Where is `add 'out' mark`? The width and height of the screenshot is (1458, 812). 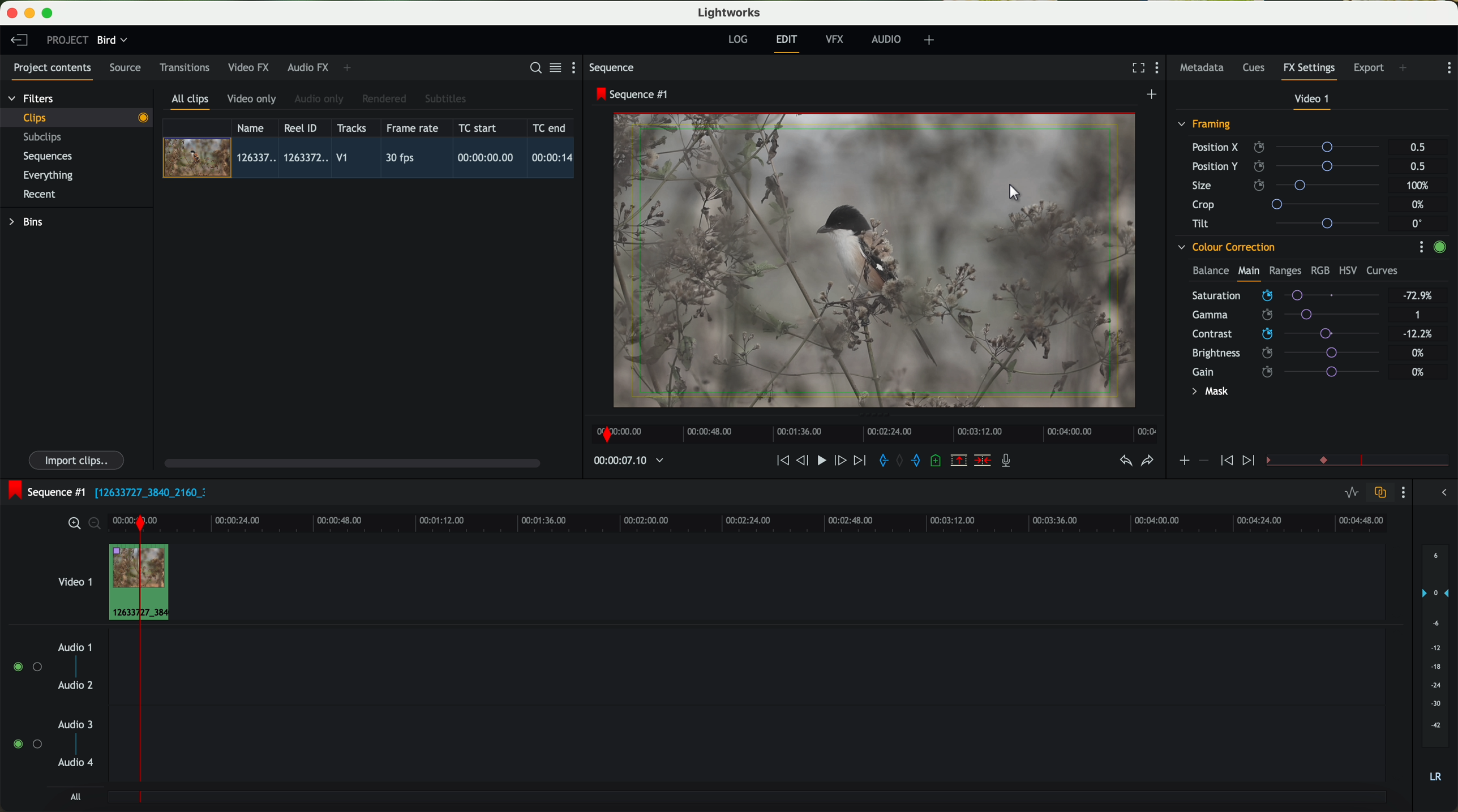 add 'out' mark is located at coordinates (921, 459).